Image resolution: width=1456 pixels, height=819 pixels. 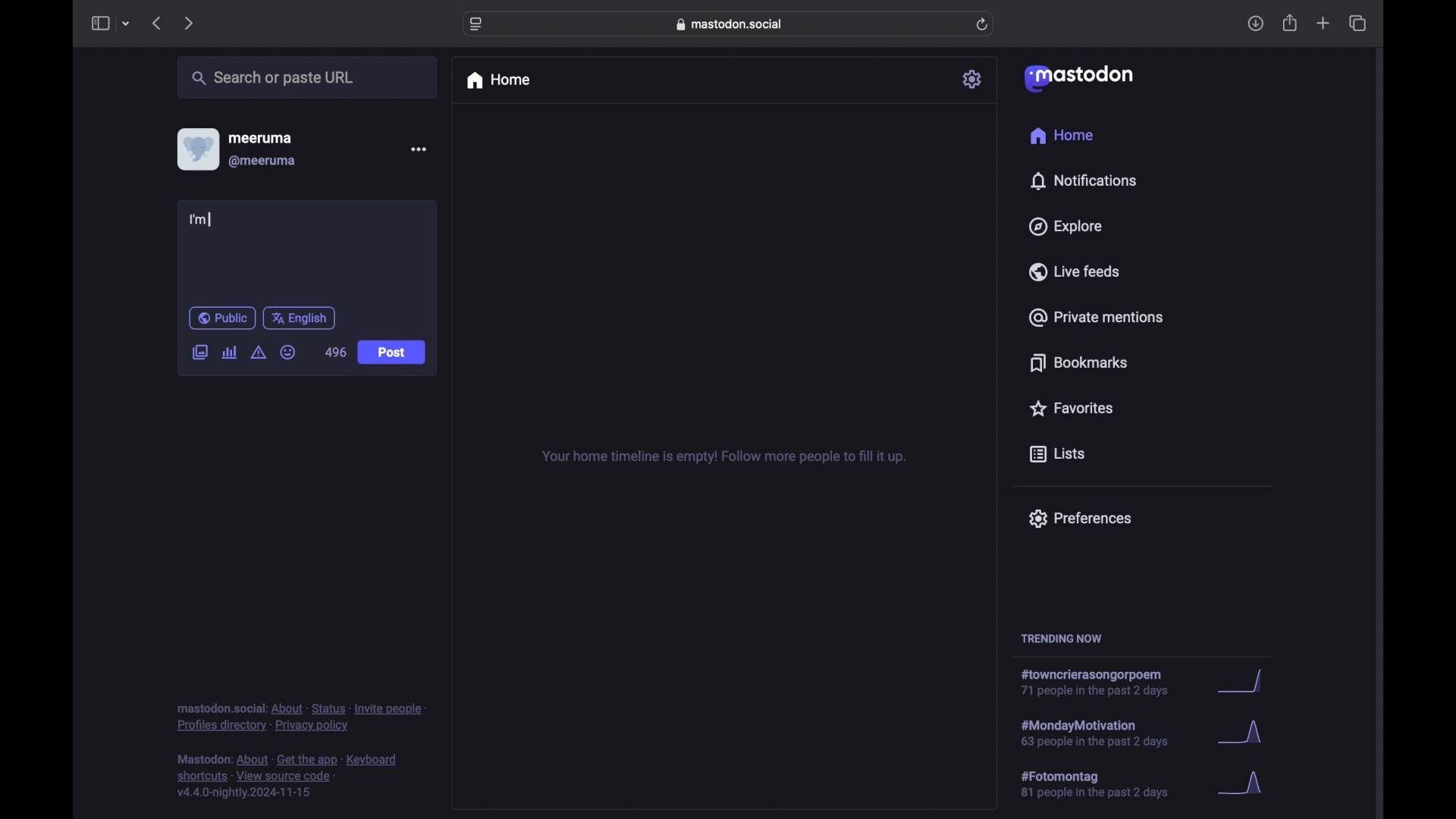 What do you see at coordinates (1245, 784) in the screenshot?
I see `graph` at bounding box center [1245, 784].